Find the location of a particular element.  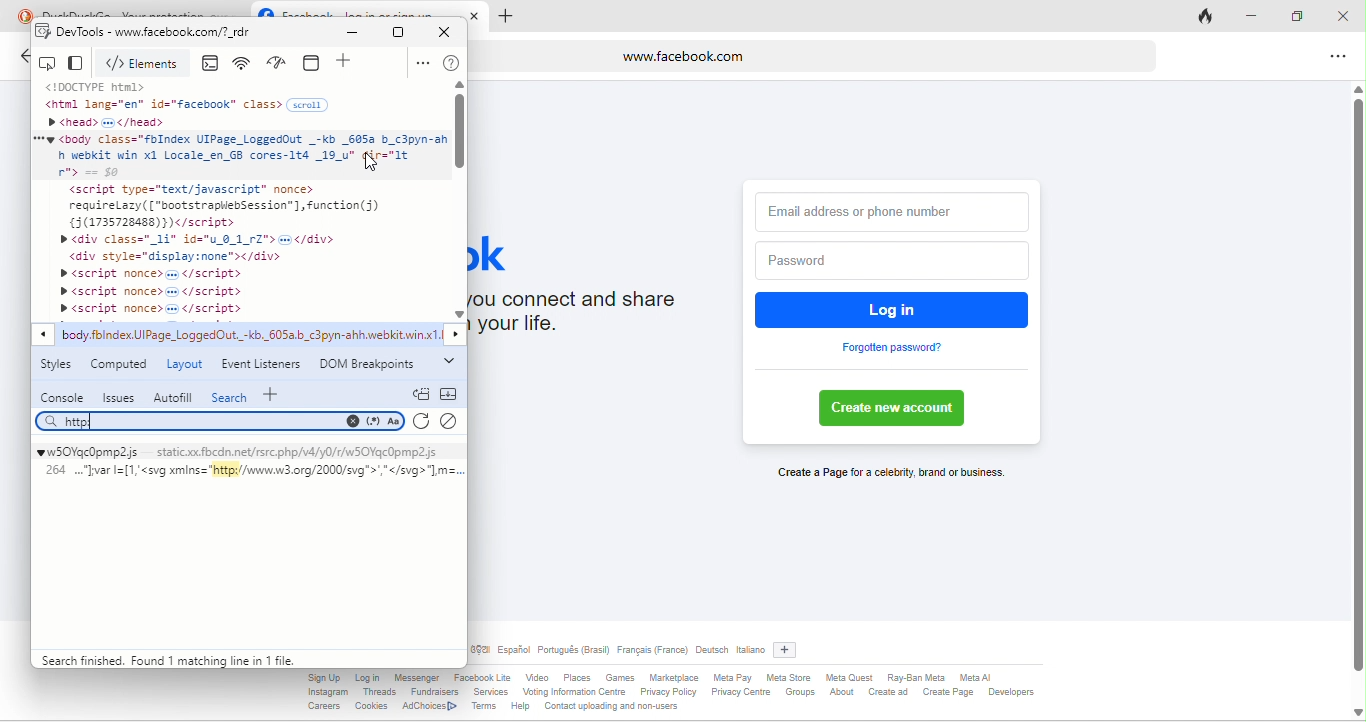

Facebook helps you connect and share
with the people in your life. is located at coordinates (593, 317).